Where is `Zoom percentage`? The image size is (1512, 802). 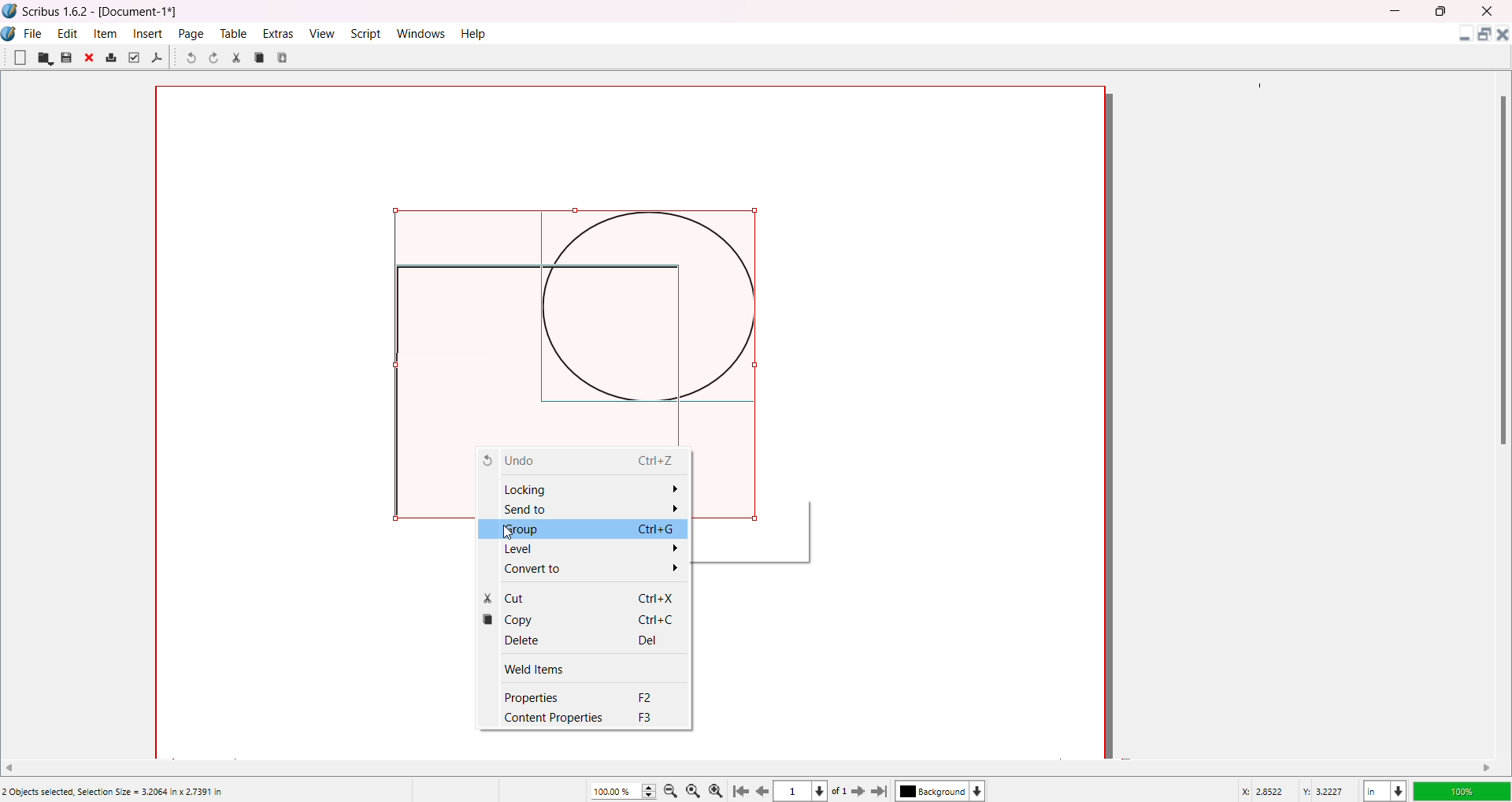
Zoom percentage is located at coordinates (614, 790).